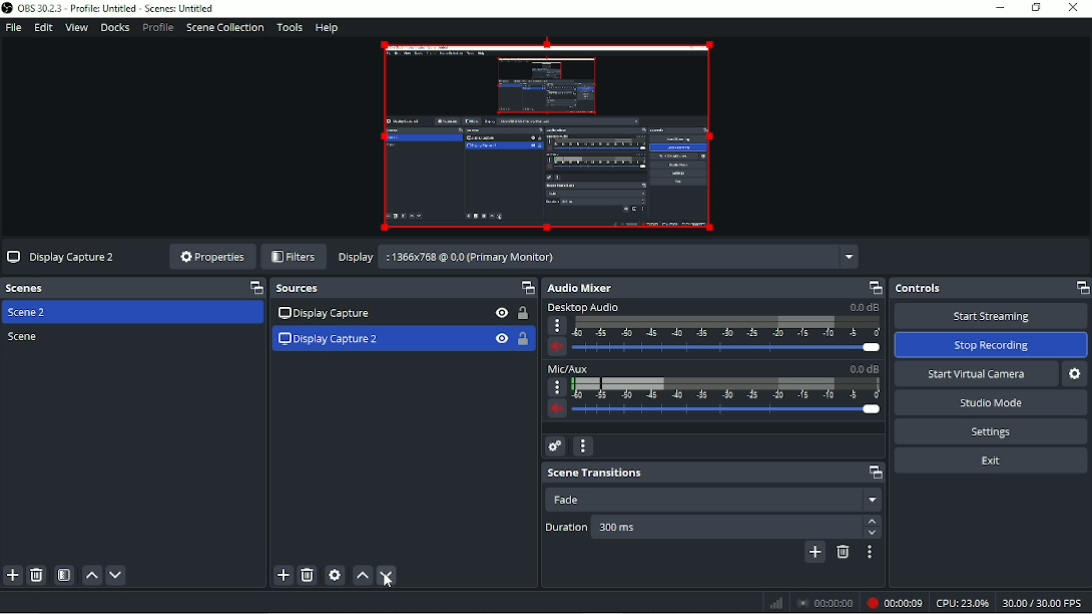 This screenshot has height=614, width=1092. Describe the element at coordinates (12, 576) in the screenshot. I see `Add scene` at that location.